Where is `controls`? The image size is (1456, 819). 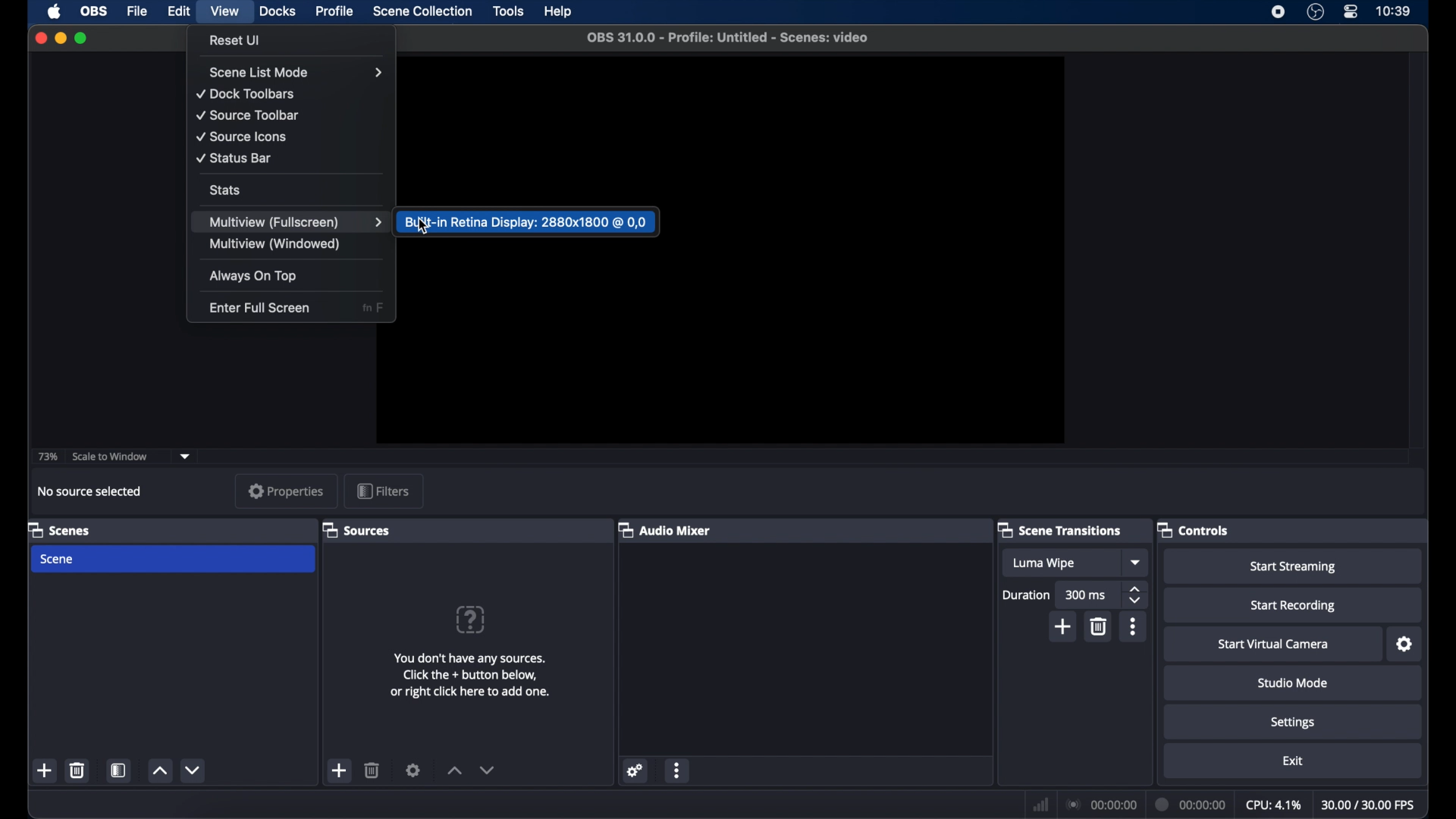
controls is located at coordinates (1193, 529).